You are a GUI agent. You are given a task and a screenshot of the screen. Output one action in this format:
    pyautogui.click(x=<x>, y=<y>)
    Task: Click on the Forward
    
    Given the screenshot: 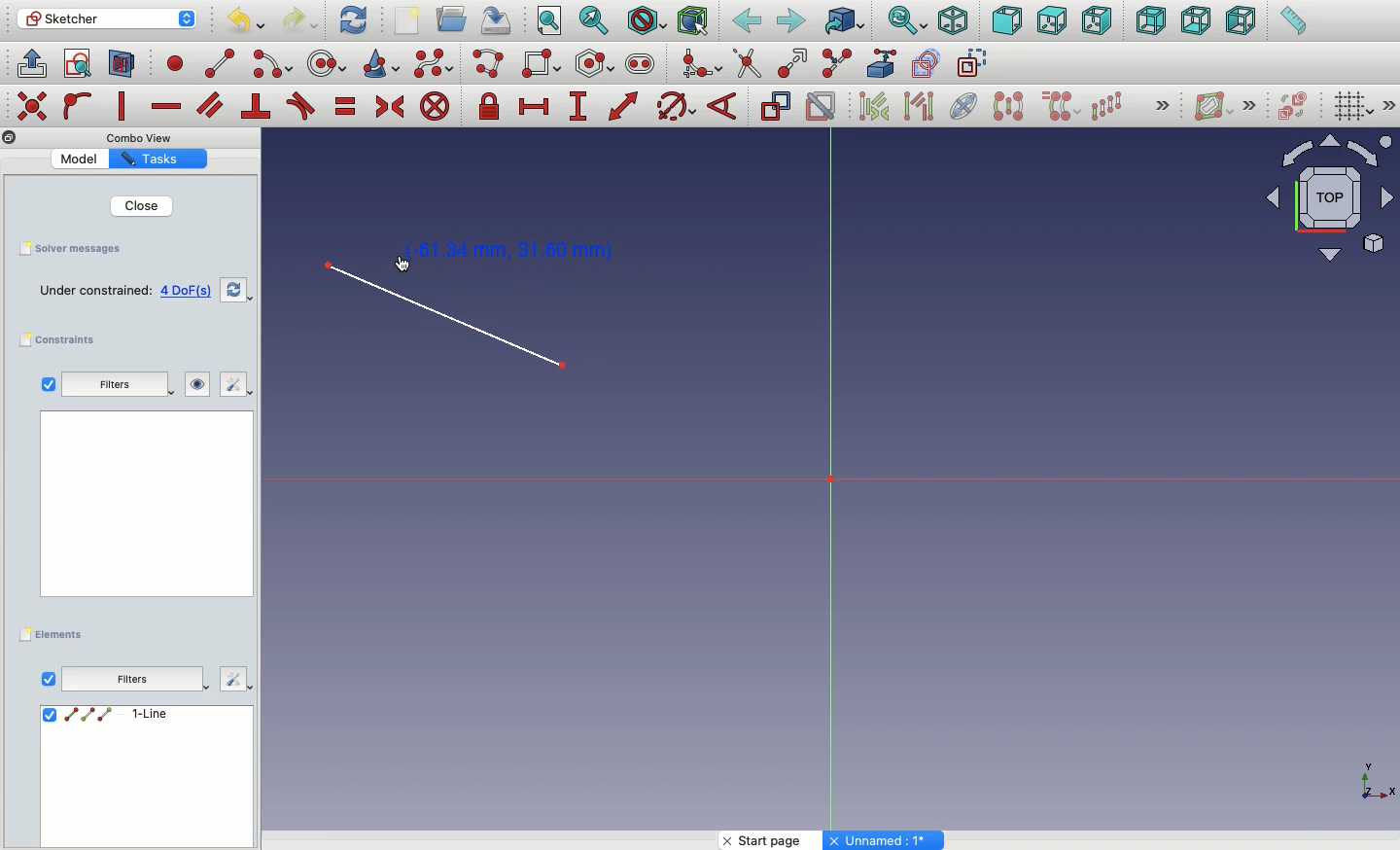 What is the action you would take?
    pyautogui.click(x=791, y=22)
    